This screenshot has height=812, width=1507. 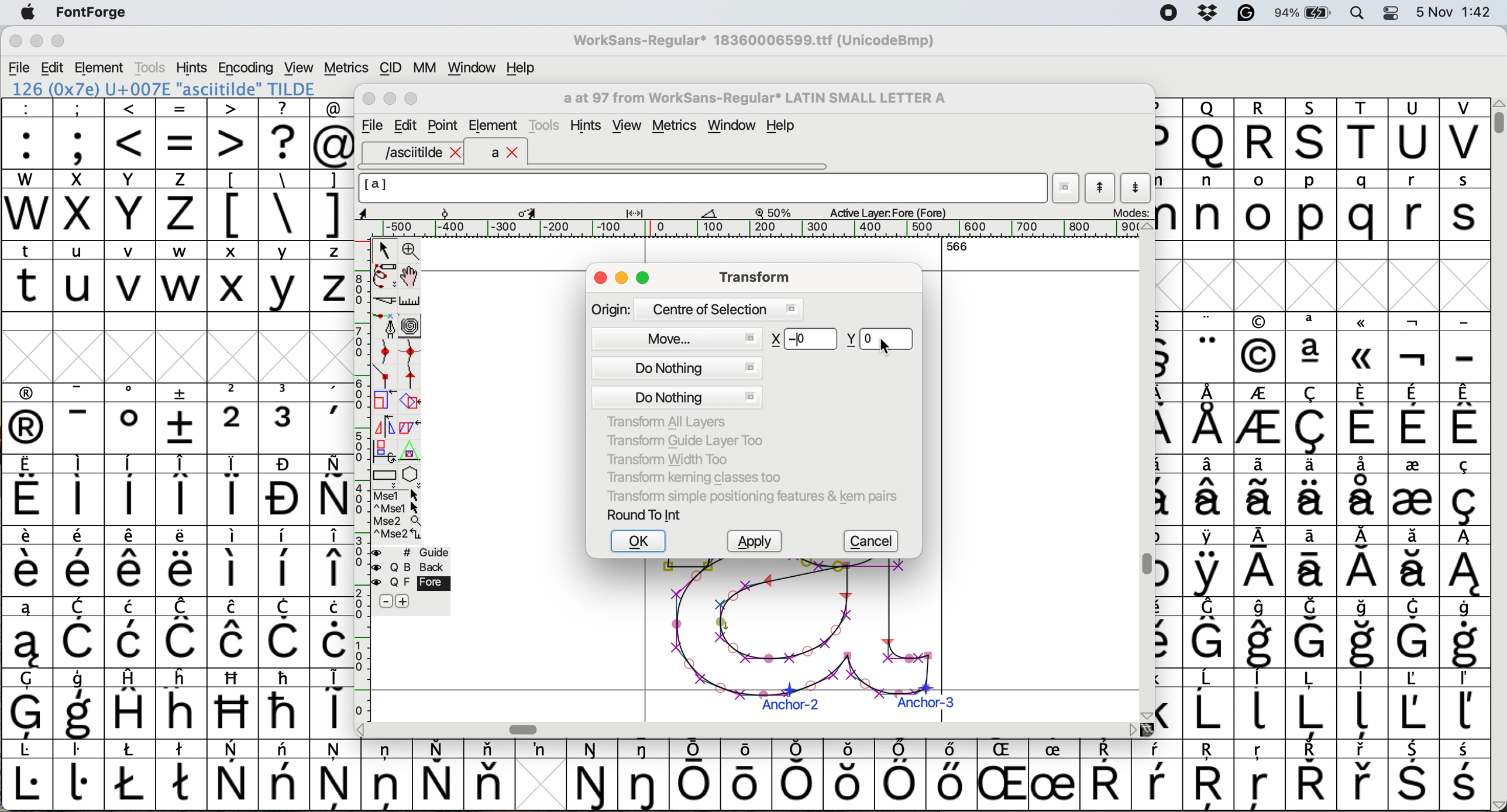 I want to click on [, so click(x=233, y=205).